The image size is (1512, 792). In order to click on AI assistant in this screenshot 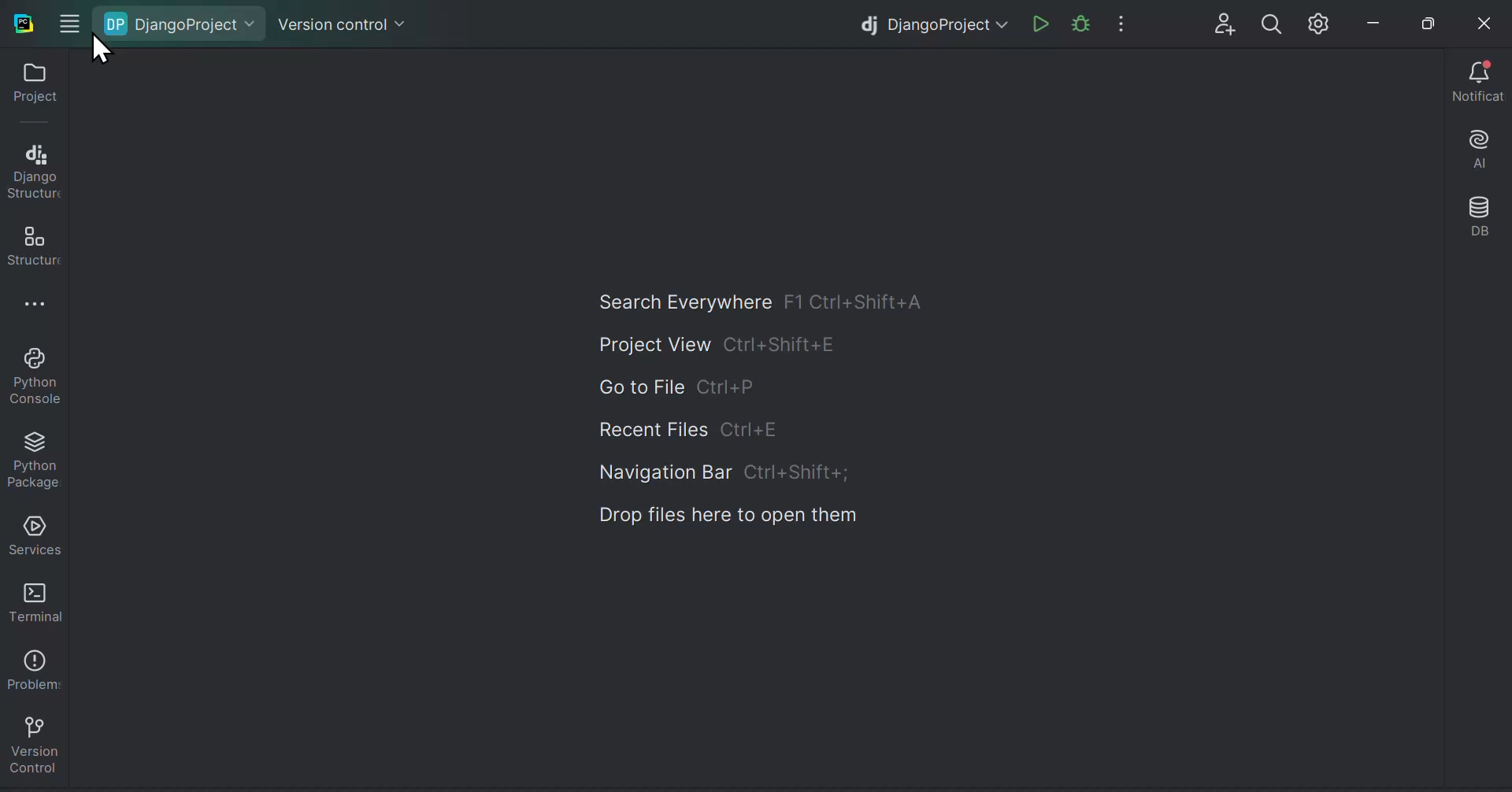, I will do `click(1482, 146)`.